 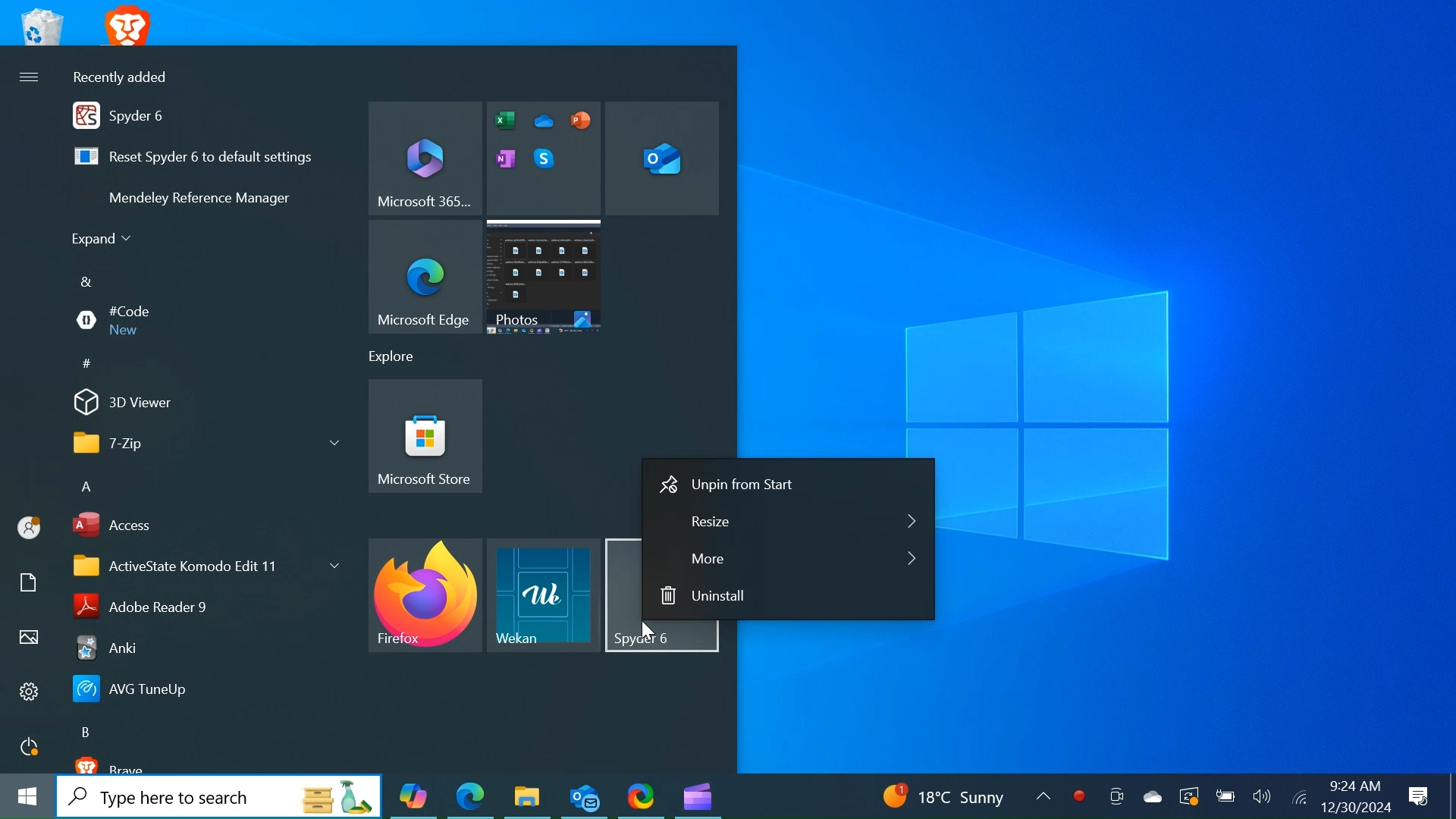 I want to click on Windows, so click(x=26, y=798).